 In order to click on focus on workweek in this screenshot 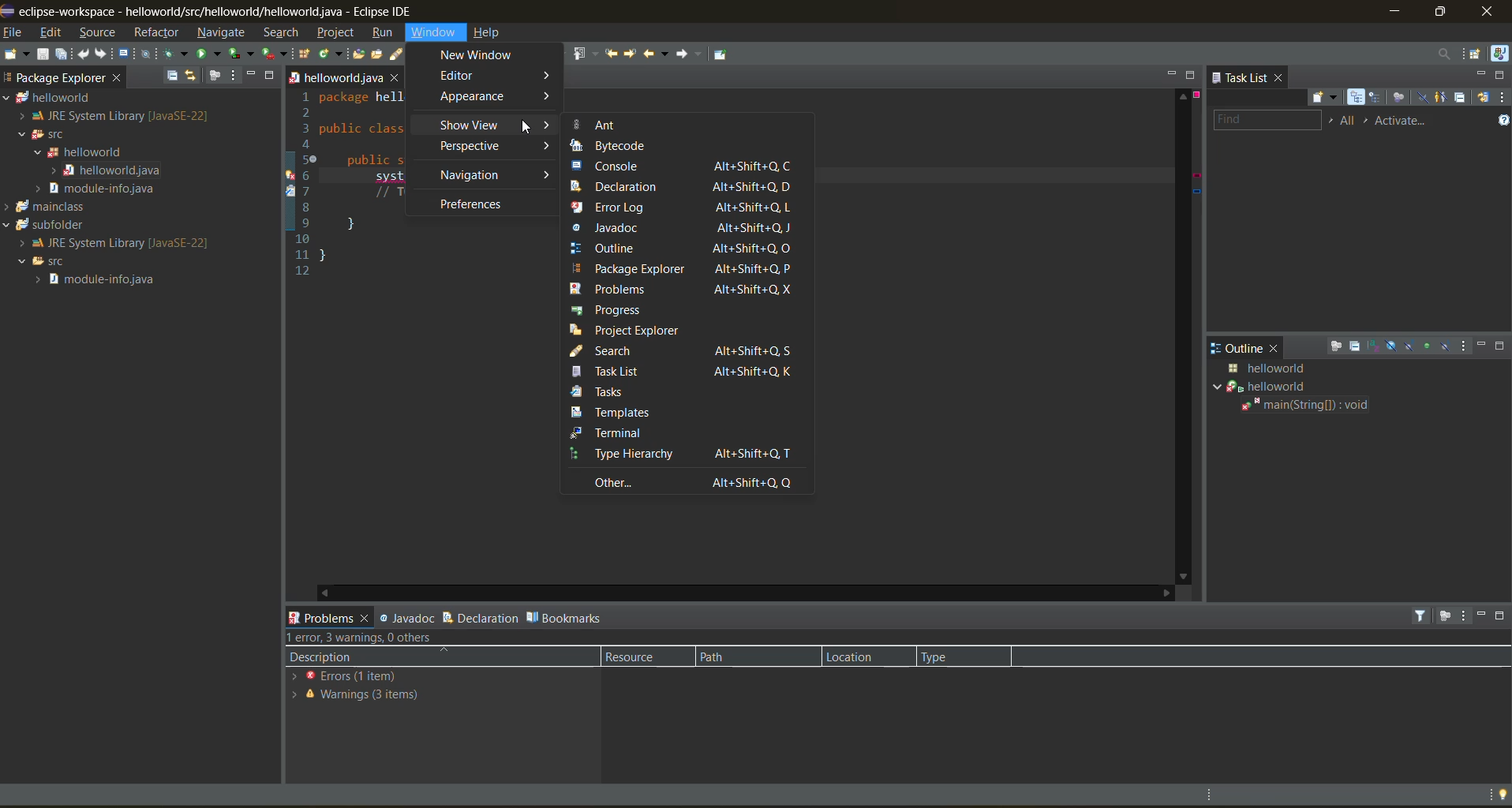, I will do `click(1398, 97)`.